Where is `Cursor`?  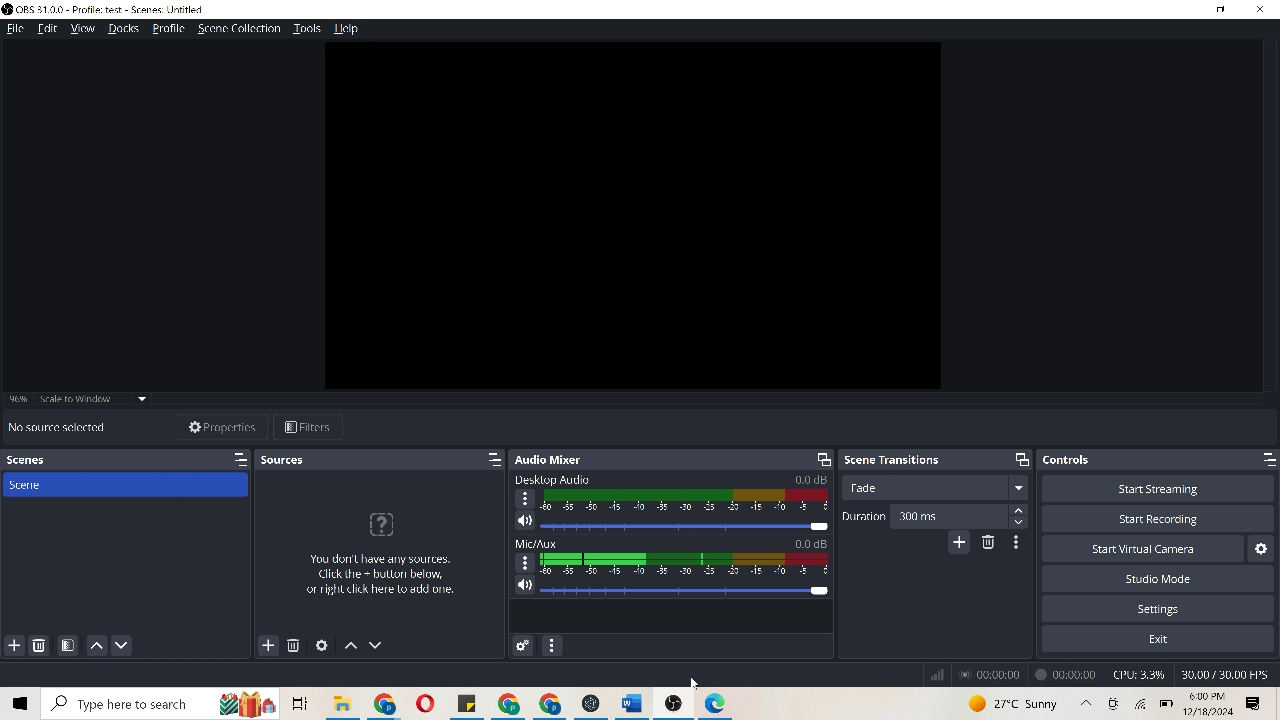
Cursor is located at coordinates (700, 685).